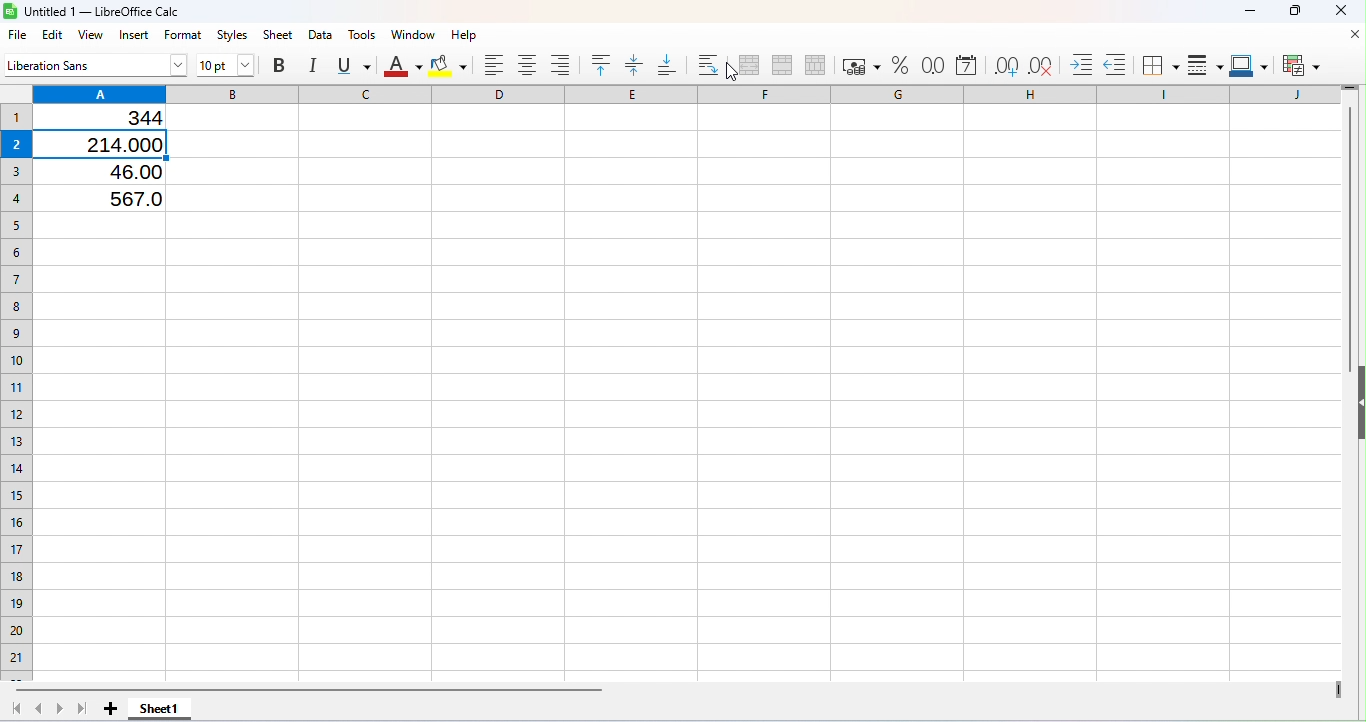 Image resolution: width=1366 pixels, height=722 pixels. Describe the element at coordinates (96, 12) in the screenshot. I see `Untitled 1 — LibreOffice Calc` at that location.